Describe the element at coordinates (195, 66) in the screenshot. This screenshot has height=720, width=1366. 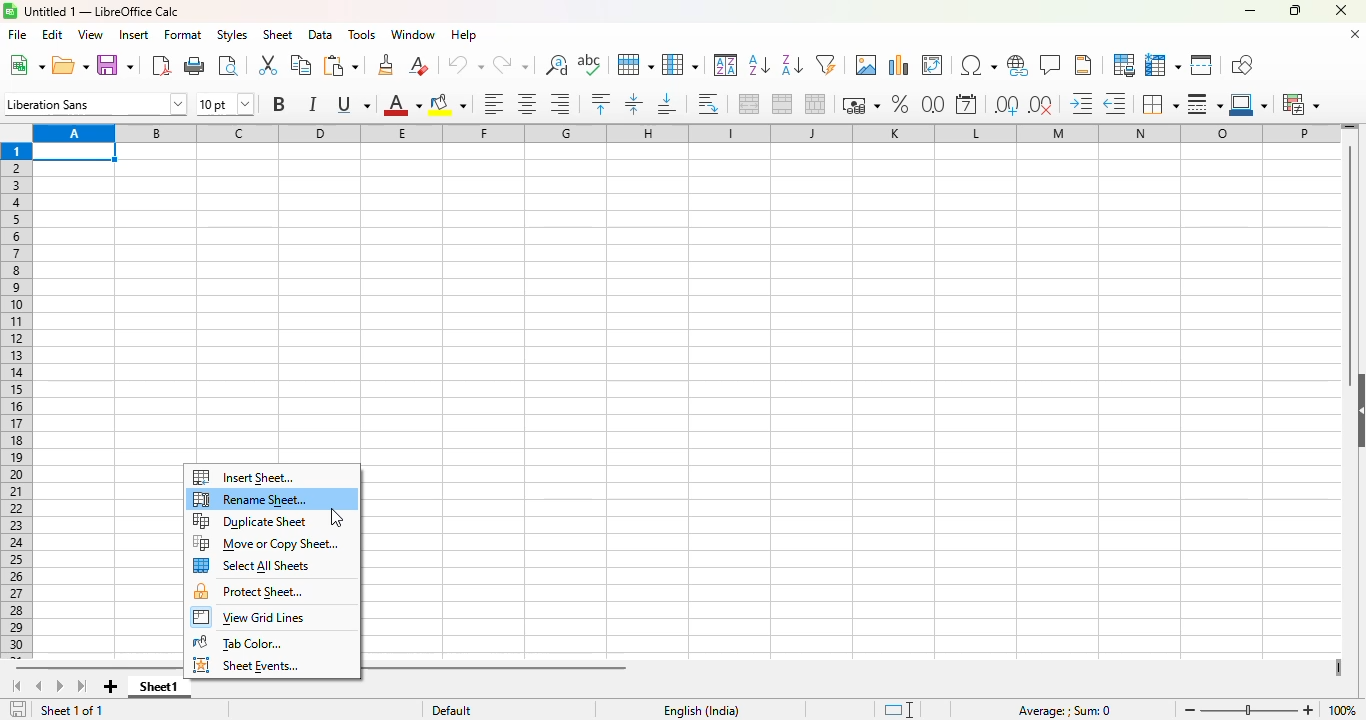
I see `print` at that location.